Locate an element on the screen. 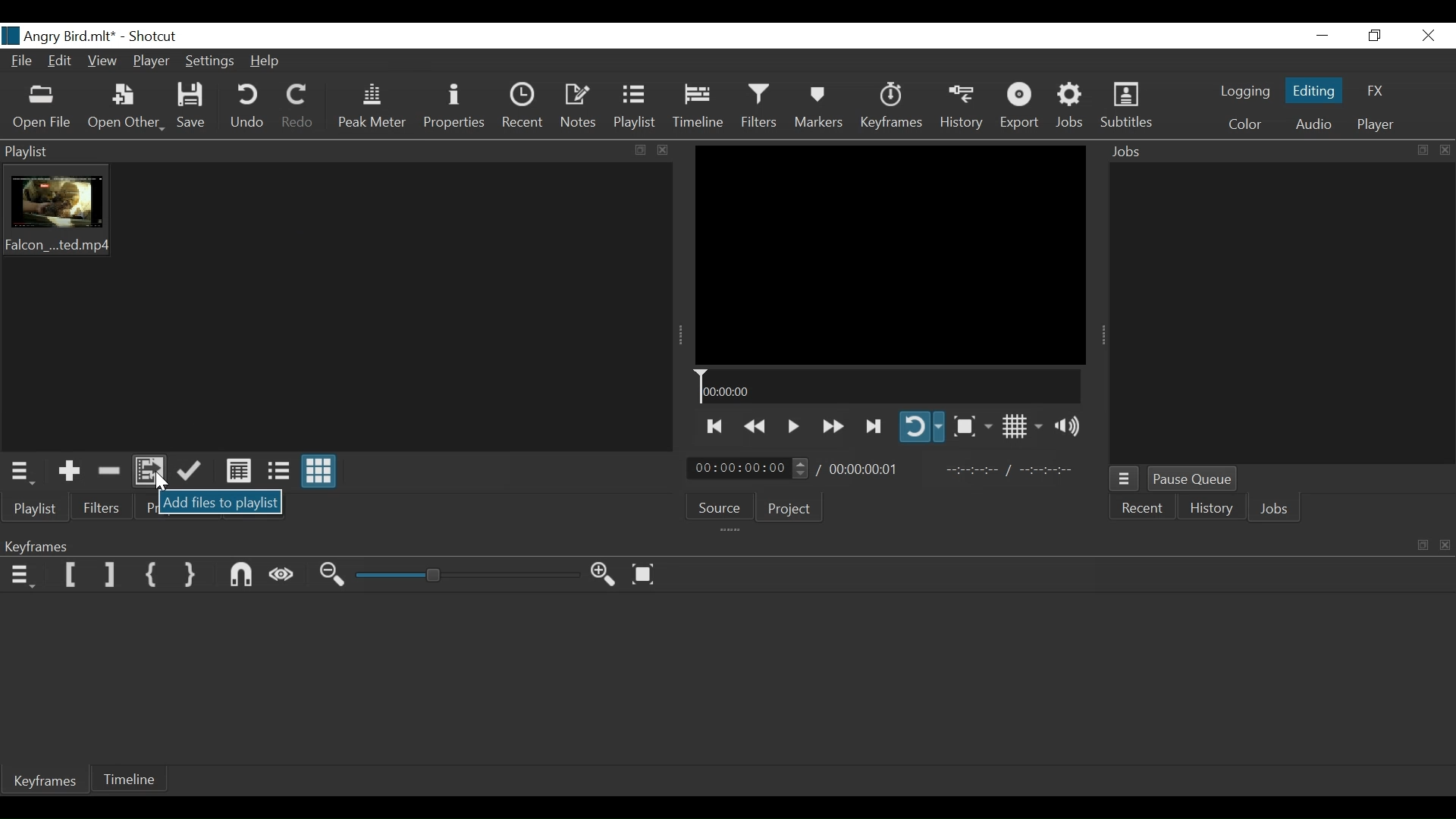 This screenshot has height=819, width=1456. Color is located at coordinates (1246, 124).